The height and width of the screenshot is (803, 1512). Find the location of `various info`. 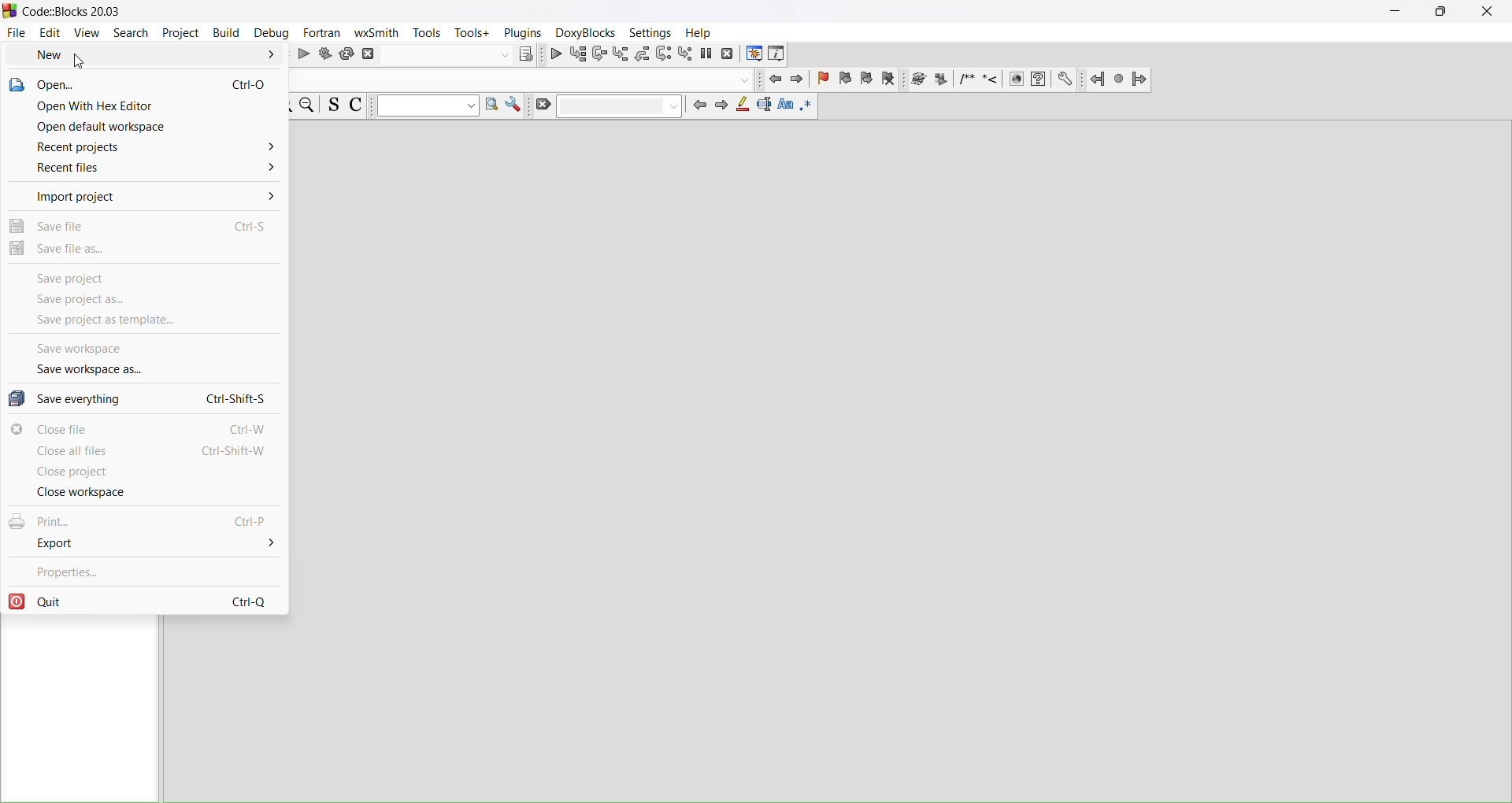

various info is located at coordinates (780, 52).